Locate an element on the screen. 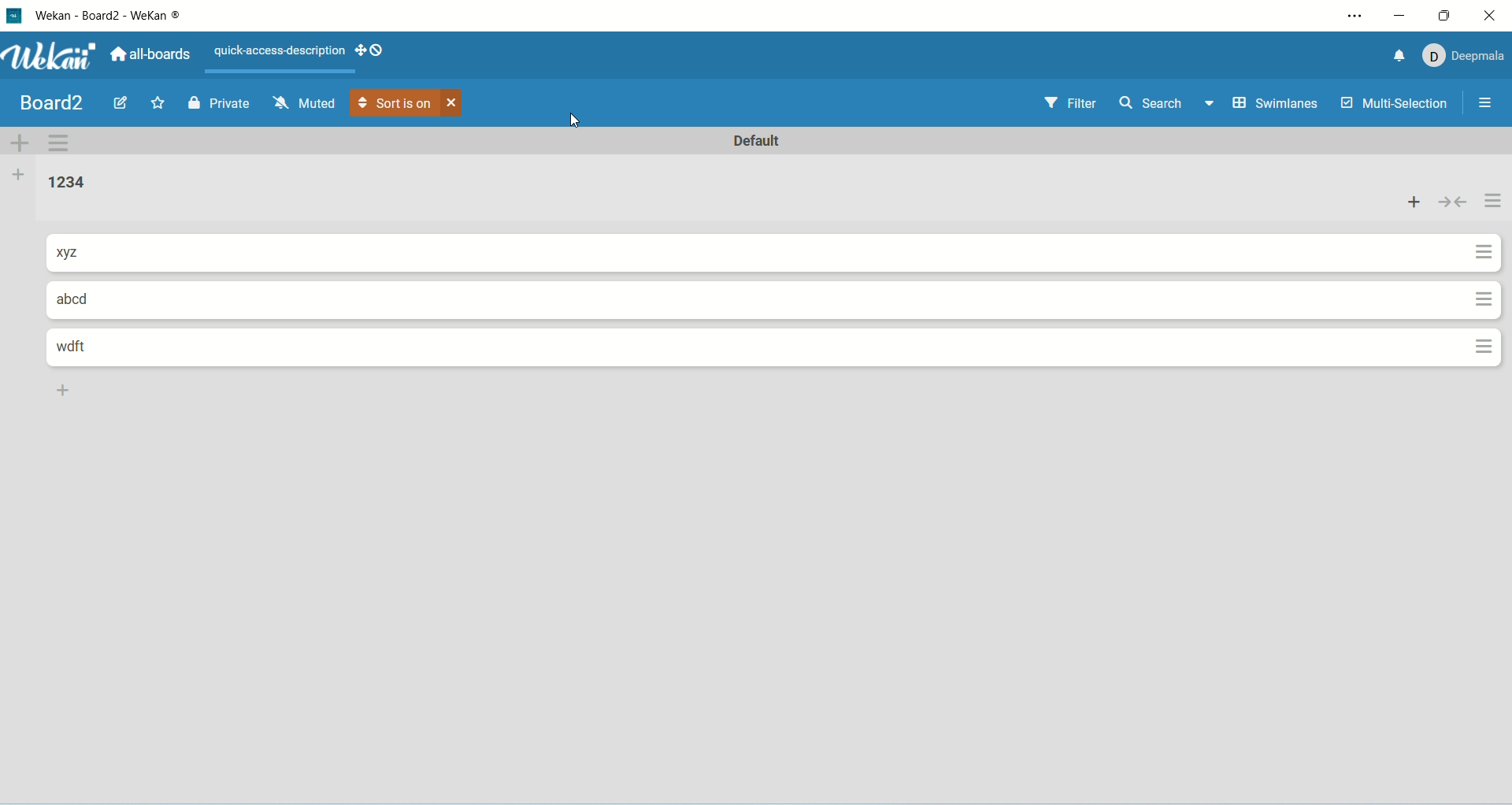 Image resolution: width=1512 pixels, height=805 pixels. title is located at coordinates (54, 103).